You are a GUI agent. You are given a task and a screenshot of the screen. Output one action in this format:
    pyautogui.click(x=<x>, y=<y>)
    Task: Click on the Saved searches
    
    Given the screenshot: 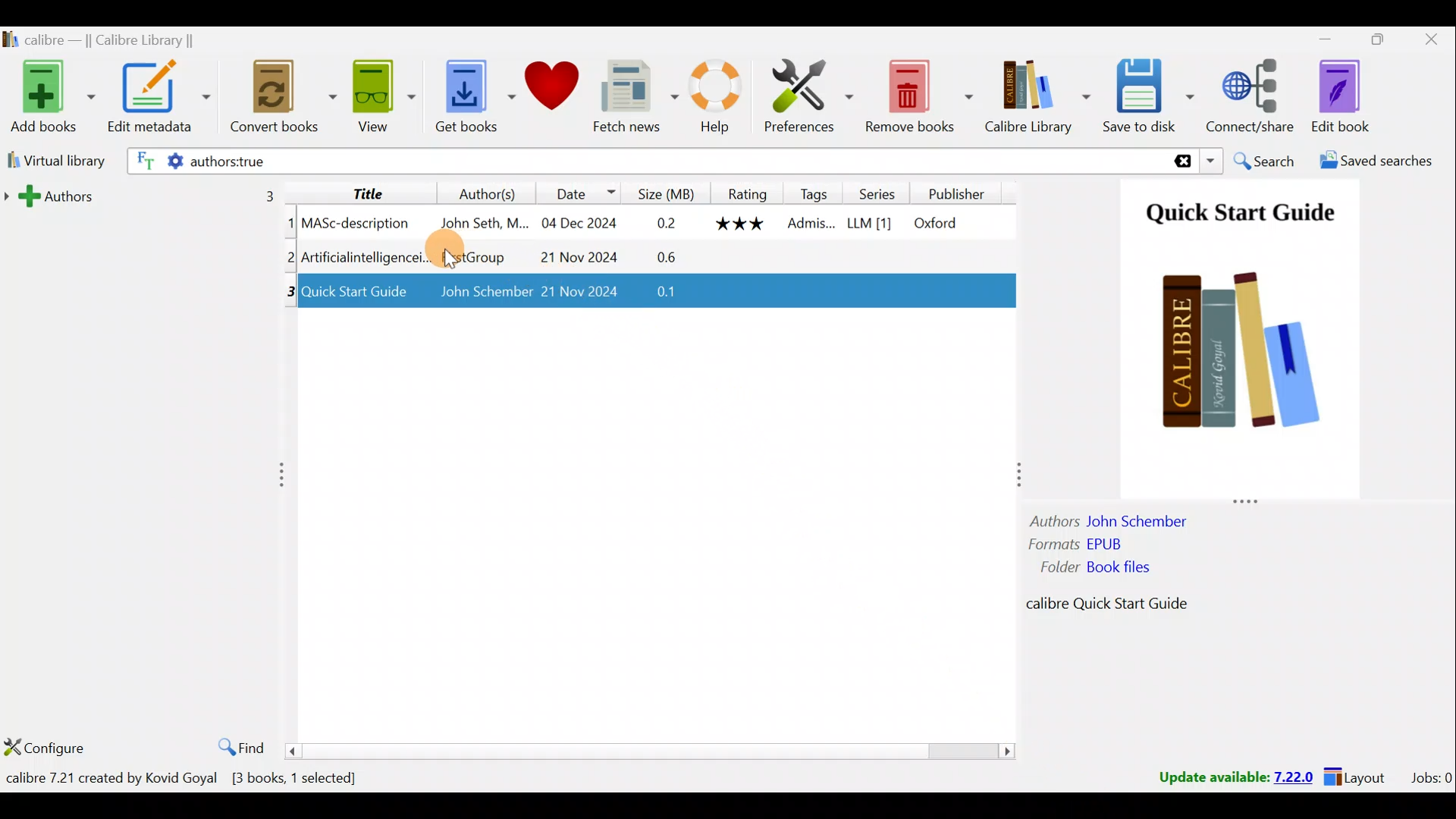 What is the action you would take?
    pyautogui.click(x=1385, y=161)
    